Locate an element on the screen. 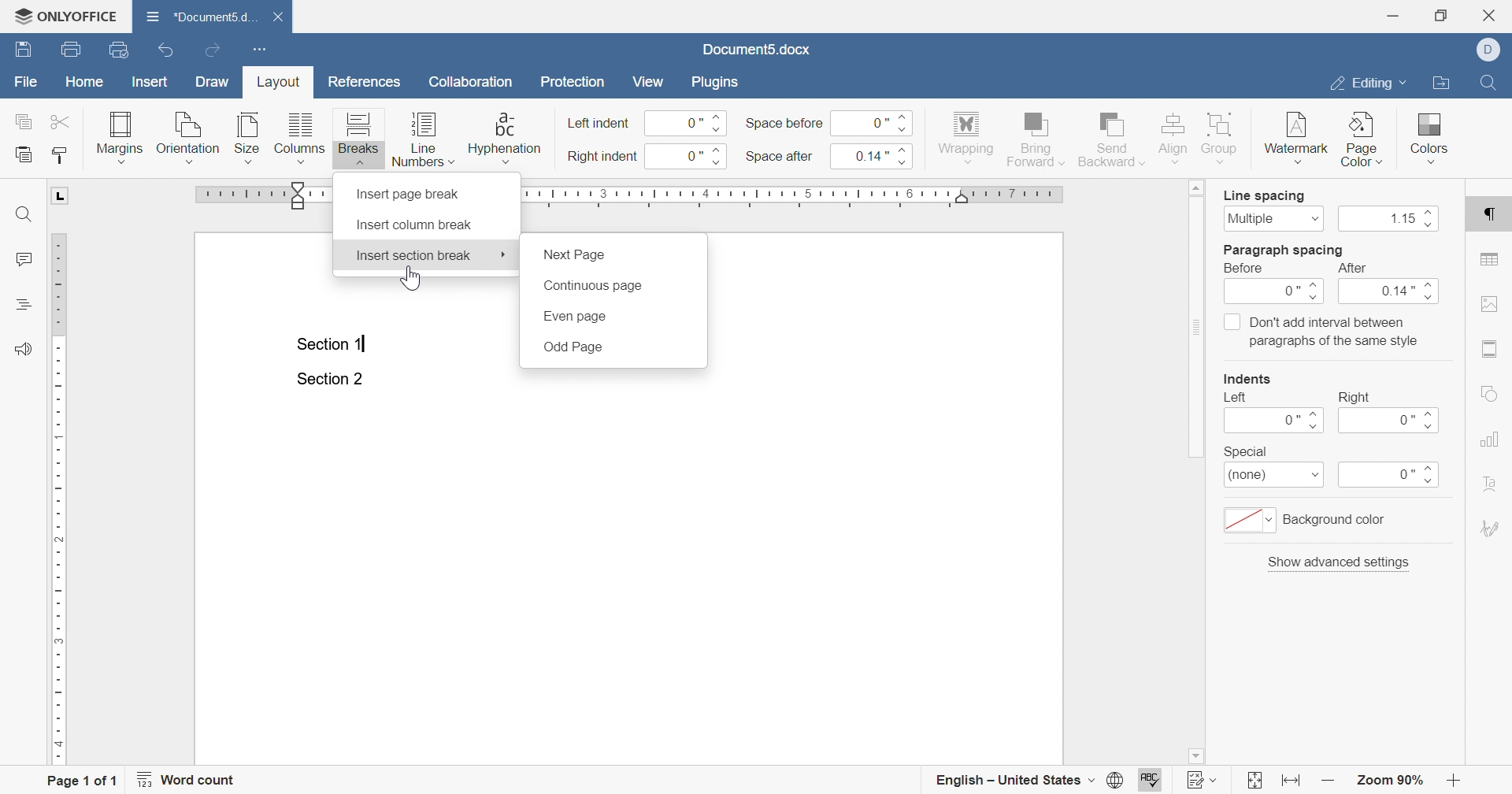 The height and width of the screenshot is (794, 1512). paragraph spacing is located at coordinates (1284, 250).